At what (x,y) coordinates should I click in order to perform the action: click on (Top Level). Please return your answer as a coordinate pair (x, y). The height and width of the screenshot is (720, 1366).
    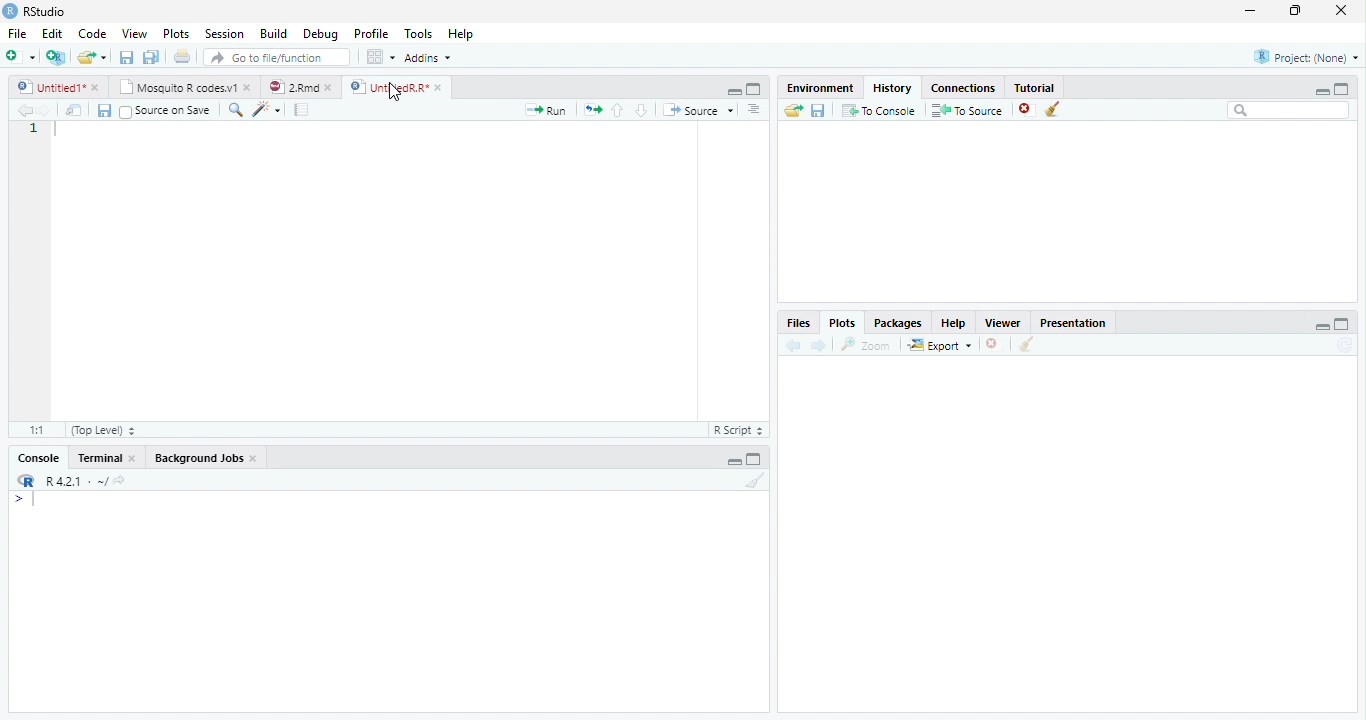
    Looking at the image, I should click on (105, 430).